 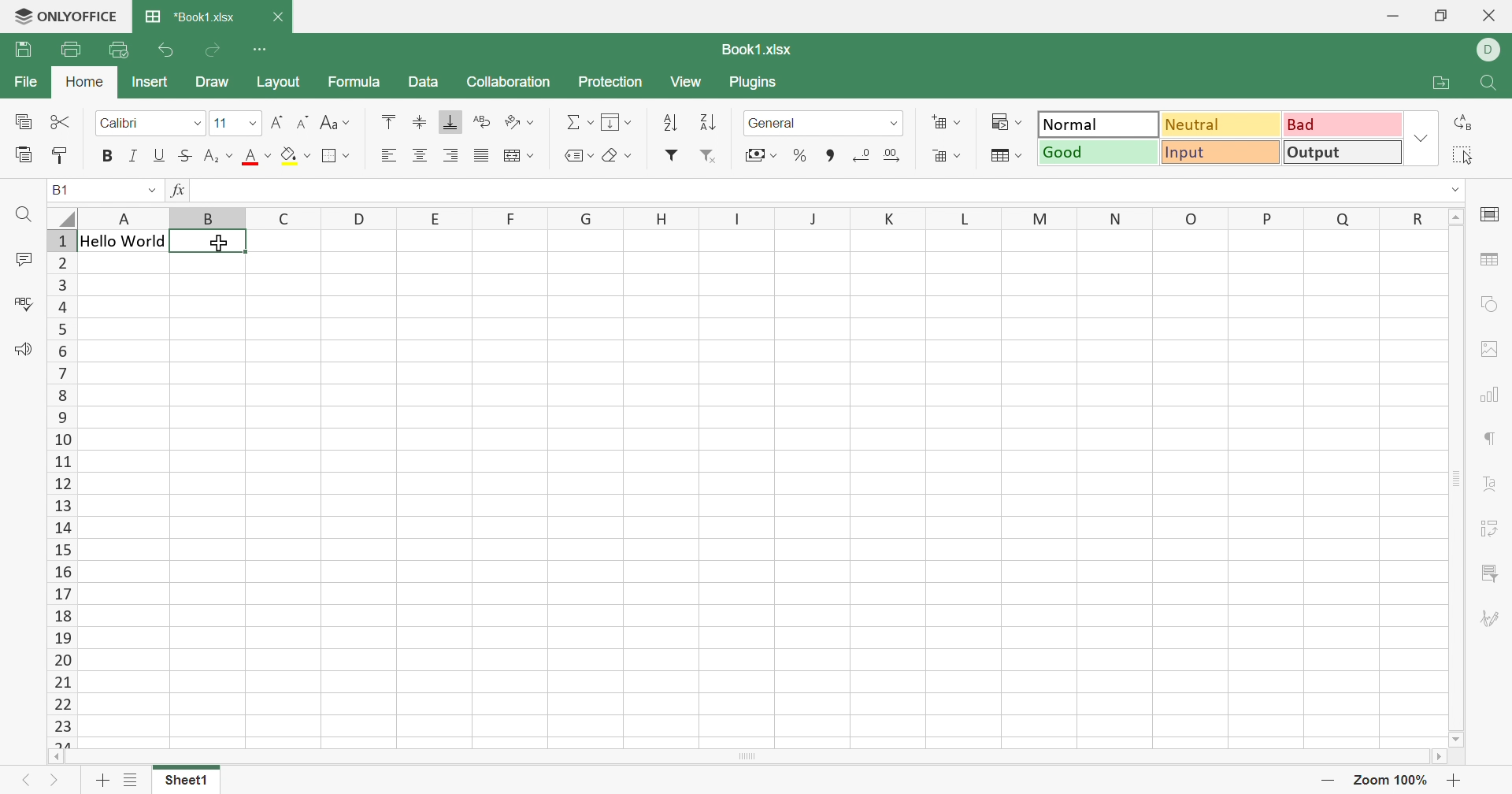 What do you see at coordinates (801, 156) in the screenshot?
I see `Percent style` at bounding box center [801, 156].